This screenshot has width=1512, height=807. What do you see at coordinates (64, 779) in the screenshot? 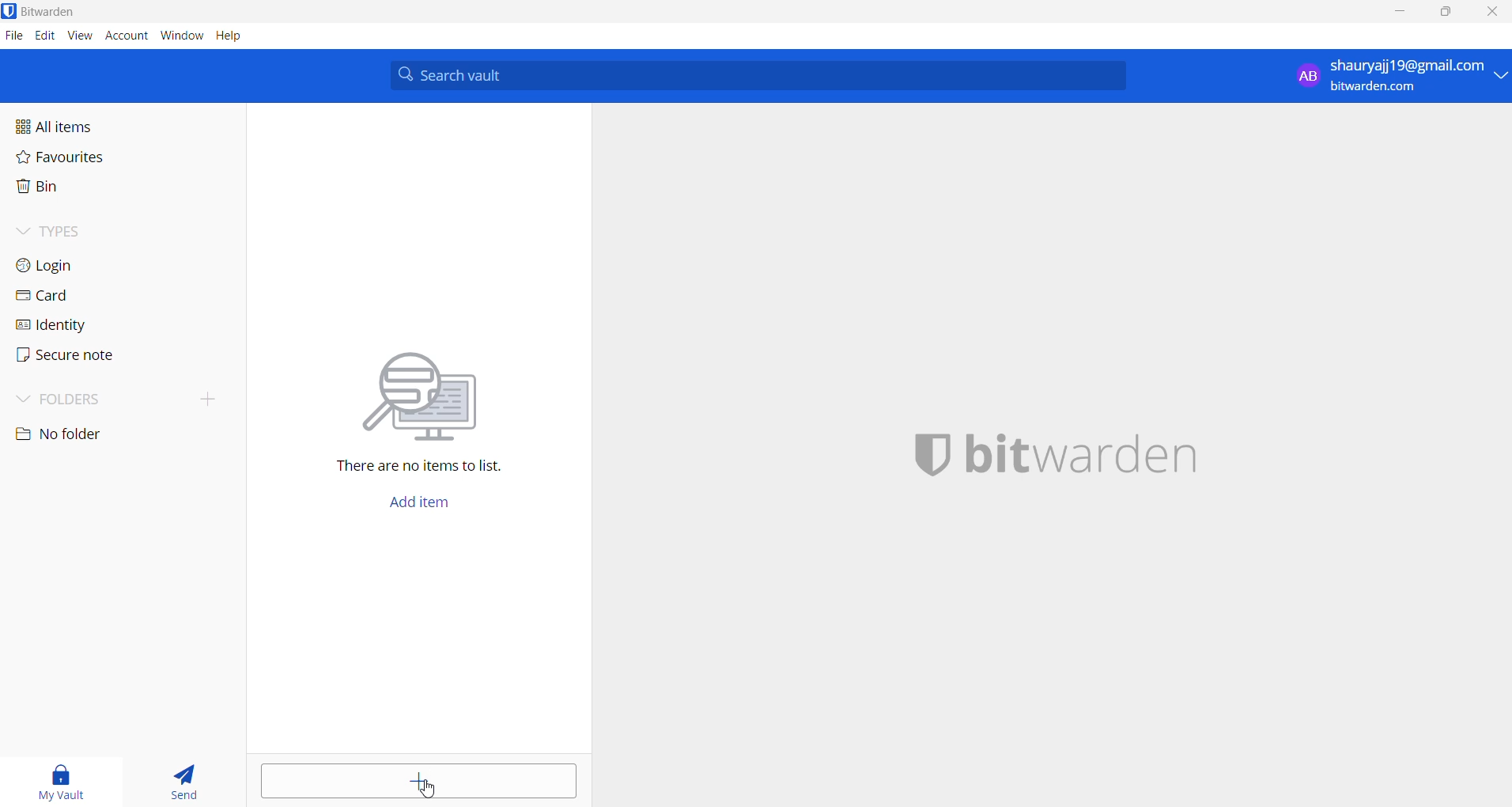
I see `my vault` at bounding box center [64, 779].